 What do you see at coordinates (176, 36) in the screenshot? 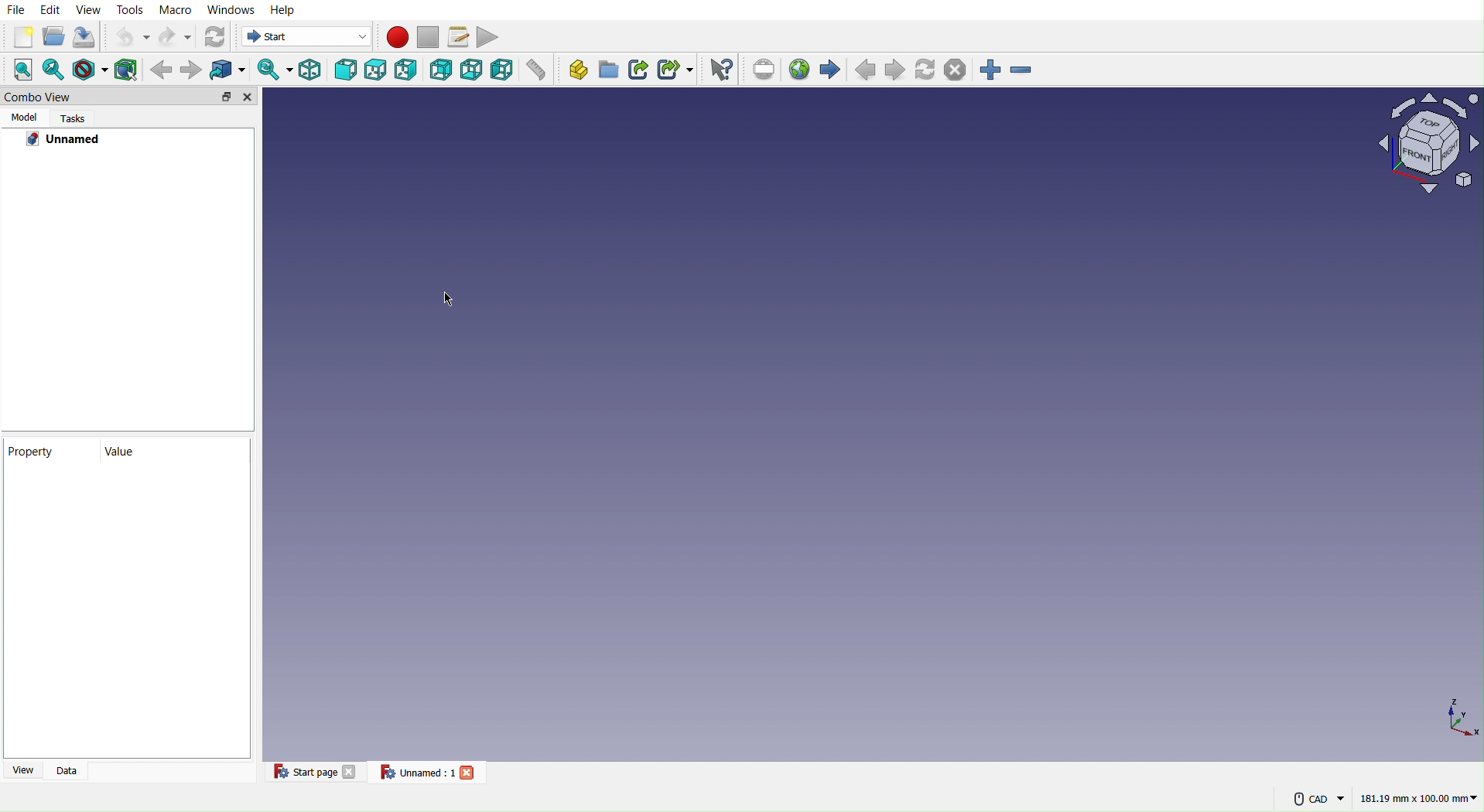
I see `Redo` at bounding box center [176, 36].